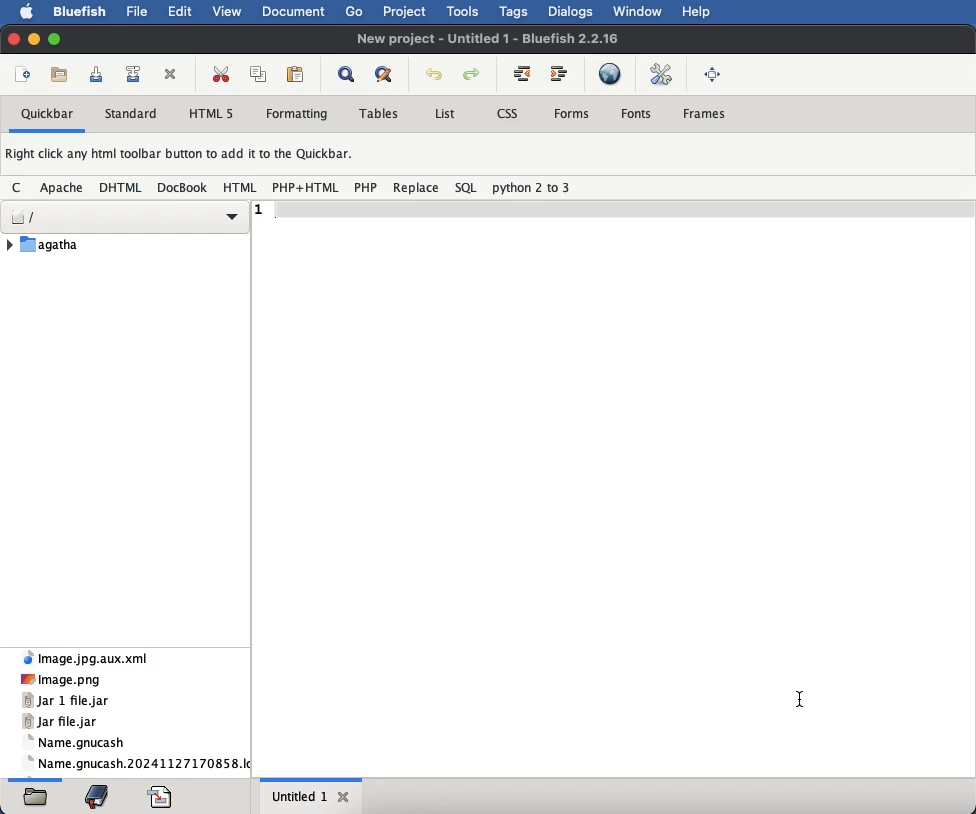 The height and width of the screenshot is (814, 976). Describe the element at coordinates (36, 778) in the screenshot. I see `Horizontal Scrollbar` at that location.